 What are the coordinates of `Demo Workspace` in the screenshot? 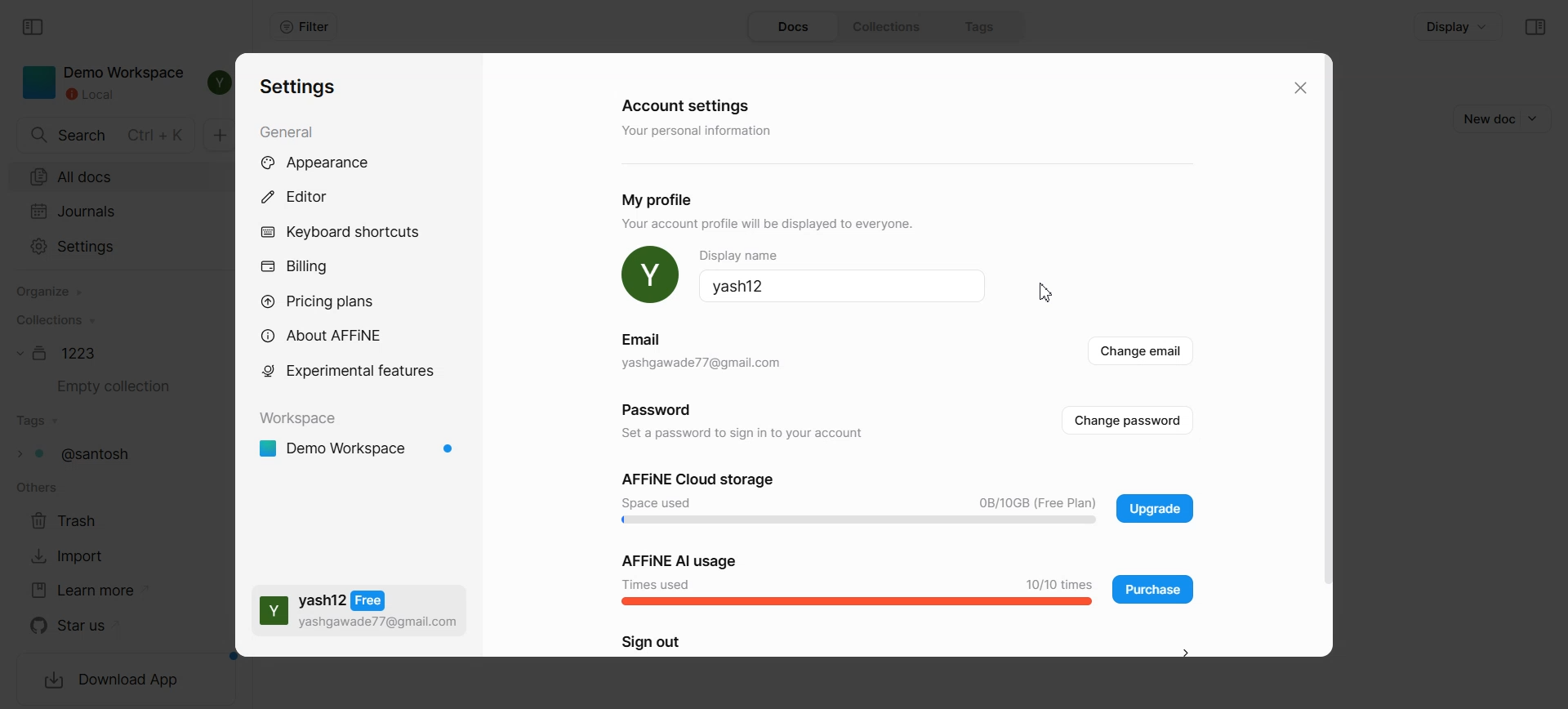 It's located at (104, 83).